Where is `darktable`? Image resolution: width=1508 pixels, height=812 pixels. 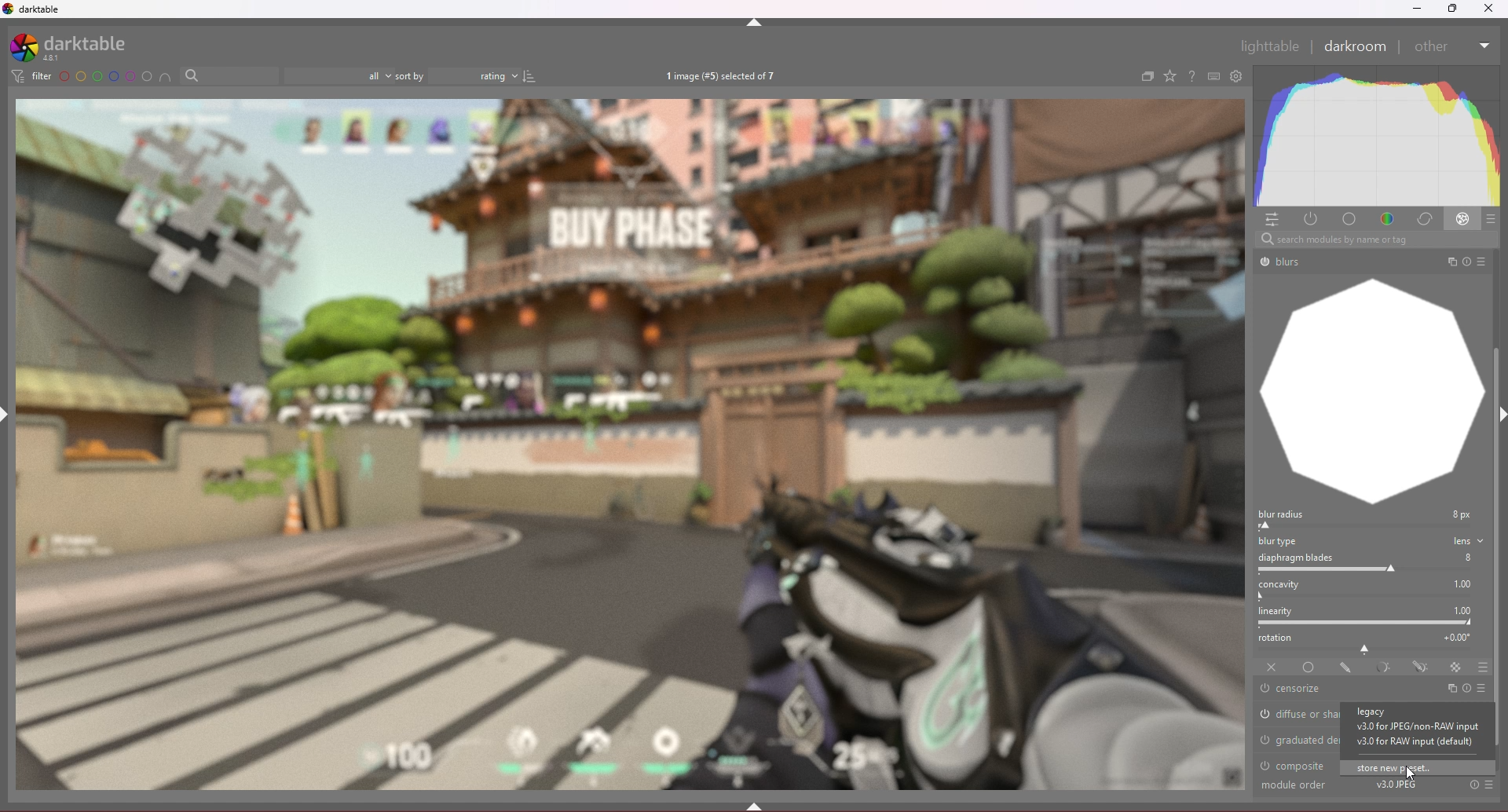 darktable is located at coordinates (78, 47).